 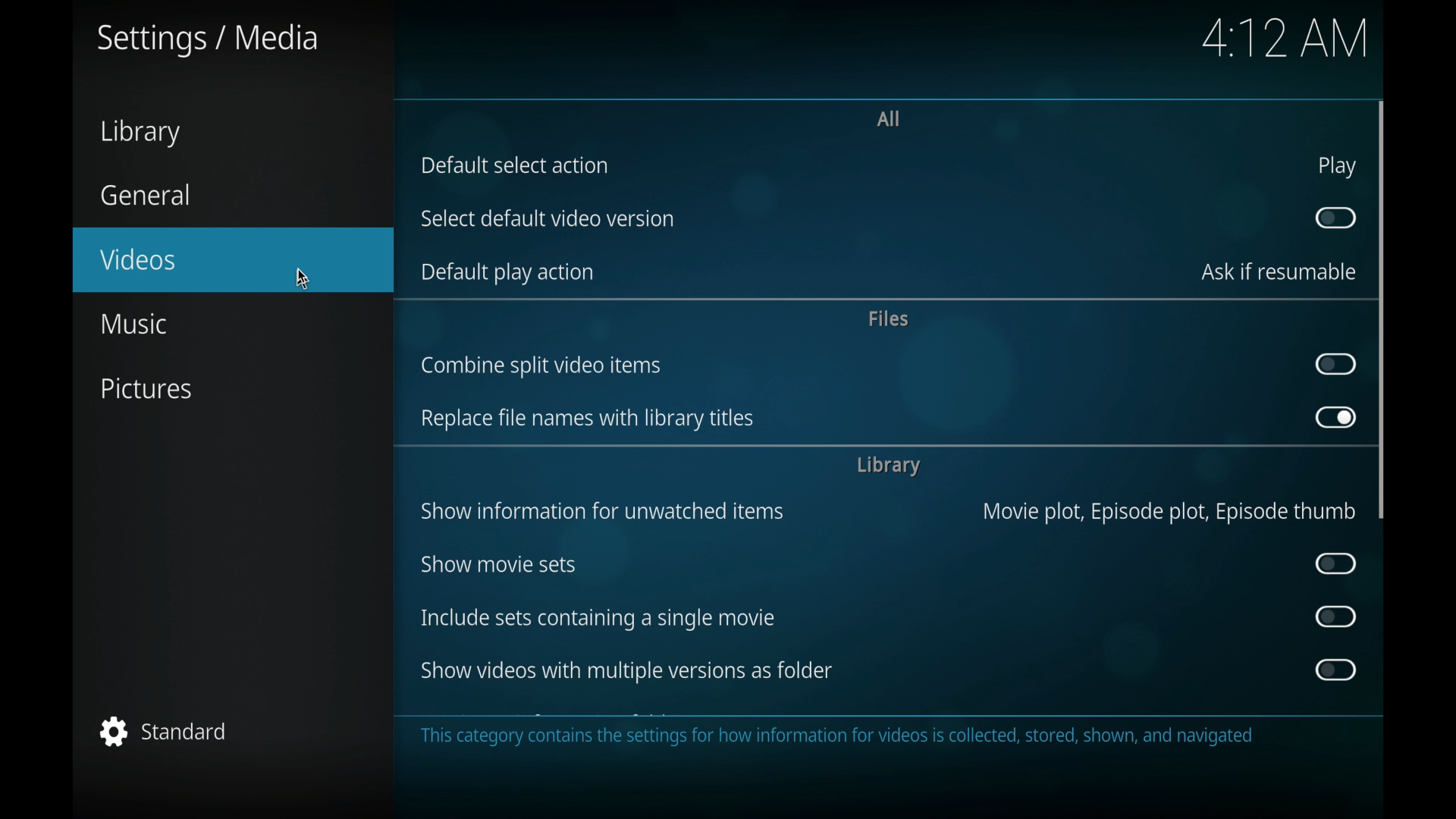 What do you see at coordinates (1279, 273) in the screenshot?
I see `ask if resumable` at bounding box center [1279, 273].